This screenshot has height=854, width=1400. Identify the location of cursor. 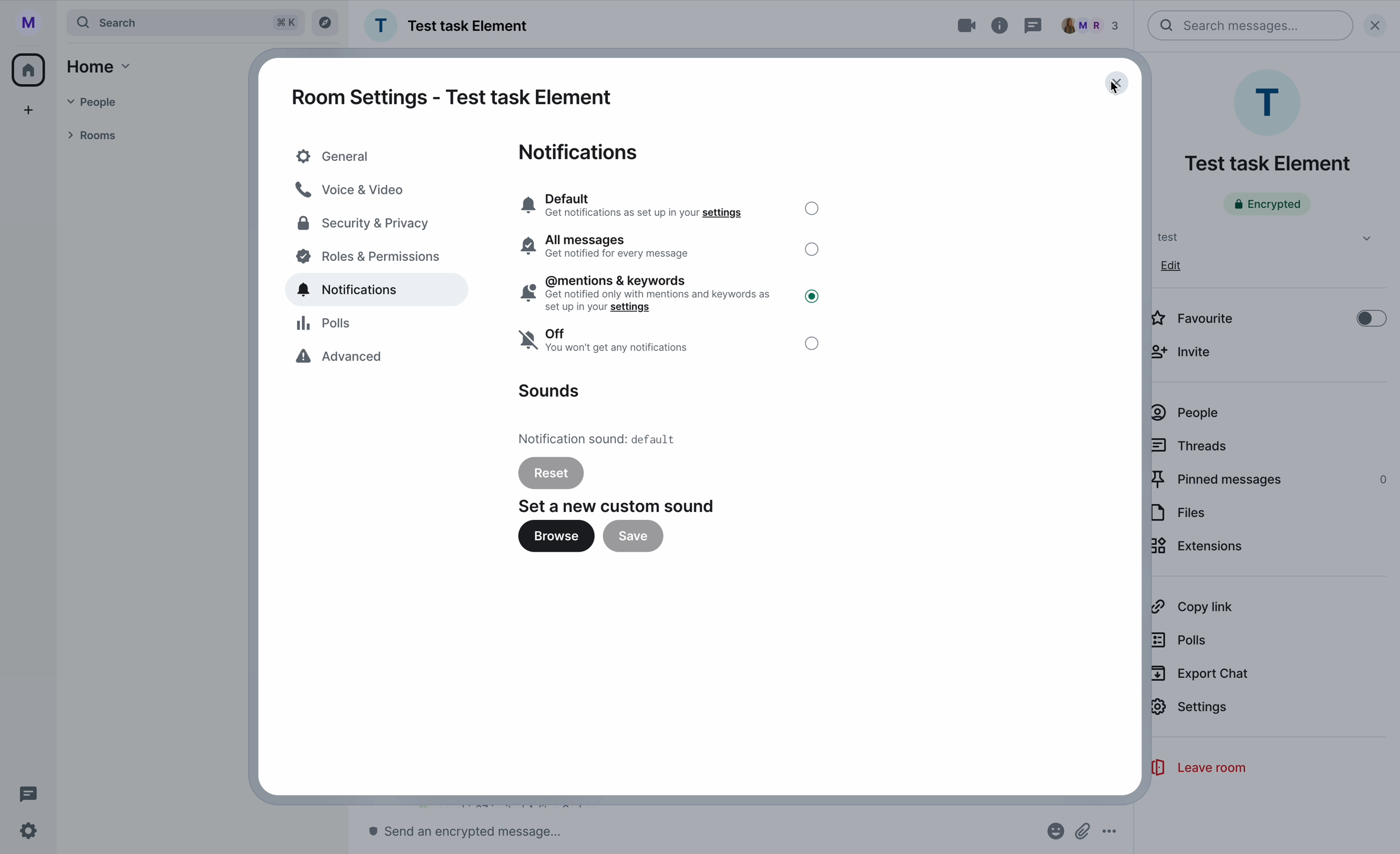
(1109, 91).